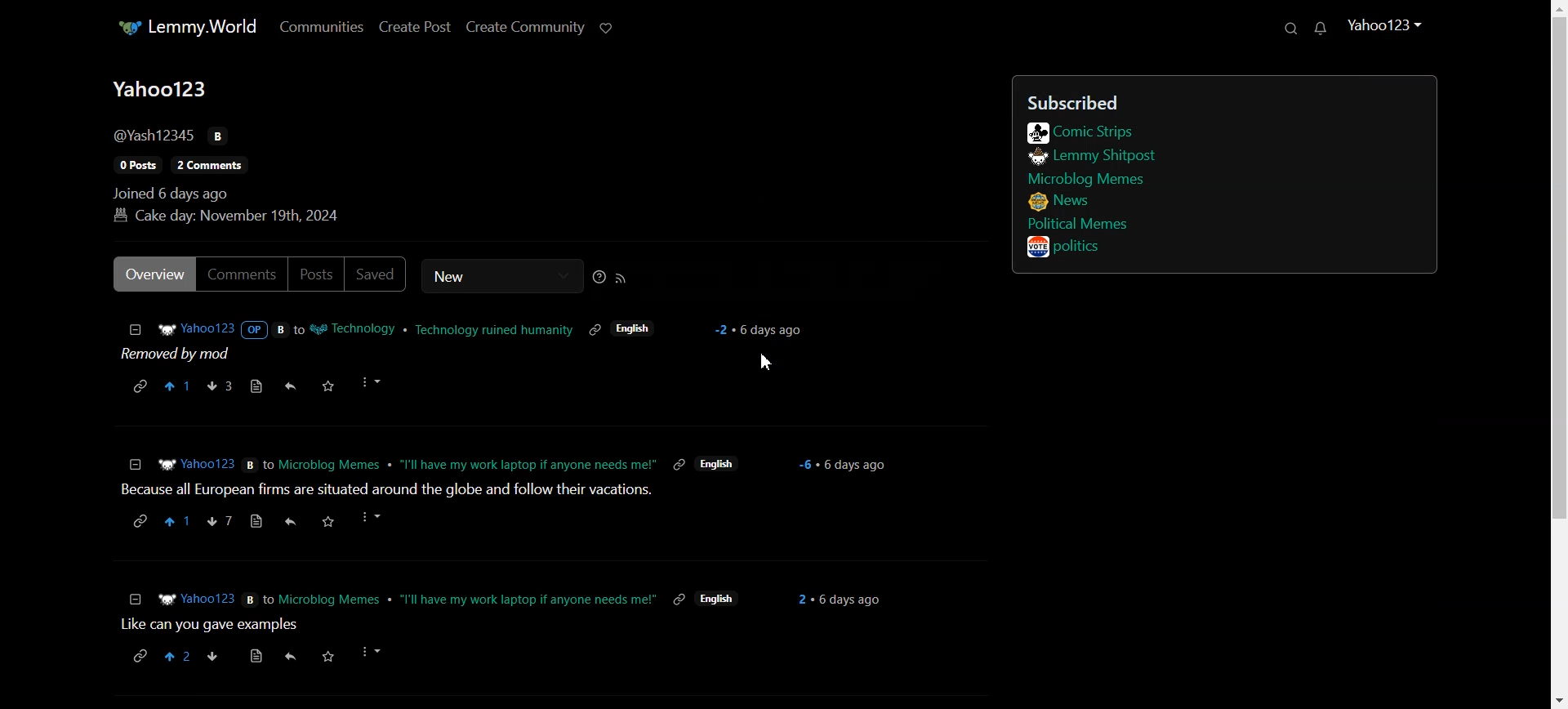 This screenshot has width=1568, height=709. What do you see at coordinates (501, 276) in the screenshot?
I see `New` at bounding box center [501, 276].